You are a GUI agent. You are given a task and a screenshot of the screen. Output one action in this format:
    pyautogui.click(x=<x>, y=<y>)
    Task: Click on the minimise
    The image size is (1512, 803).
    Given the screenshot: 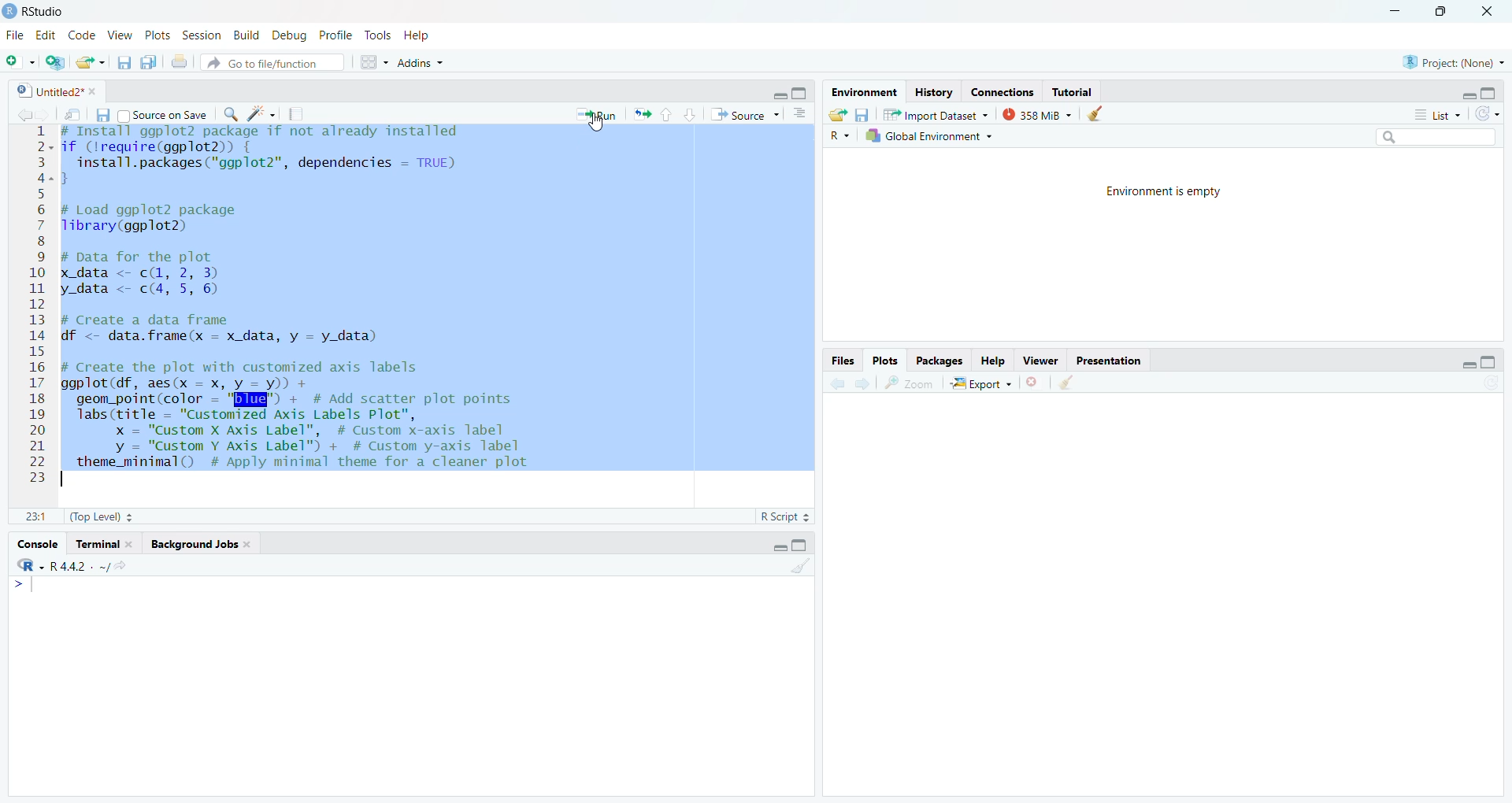 What is the action you would take?
    pyautogui.click(x=1462, y=95)
    